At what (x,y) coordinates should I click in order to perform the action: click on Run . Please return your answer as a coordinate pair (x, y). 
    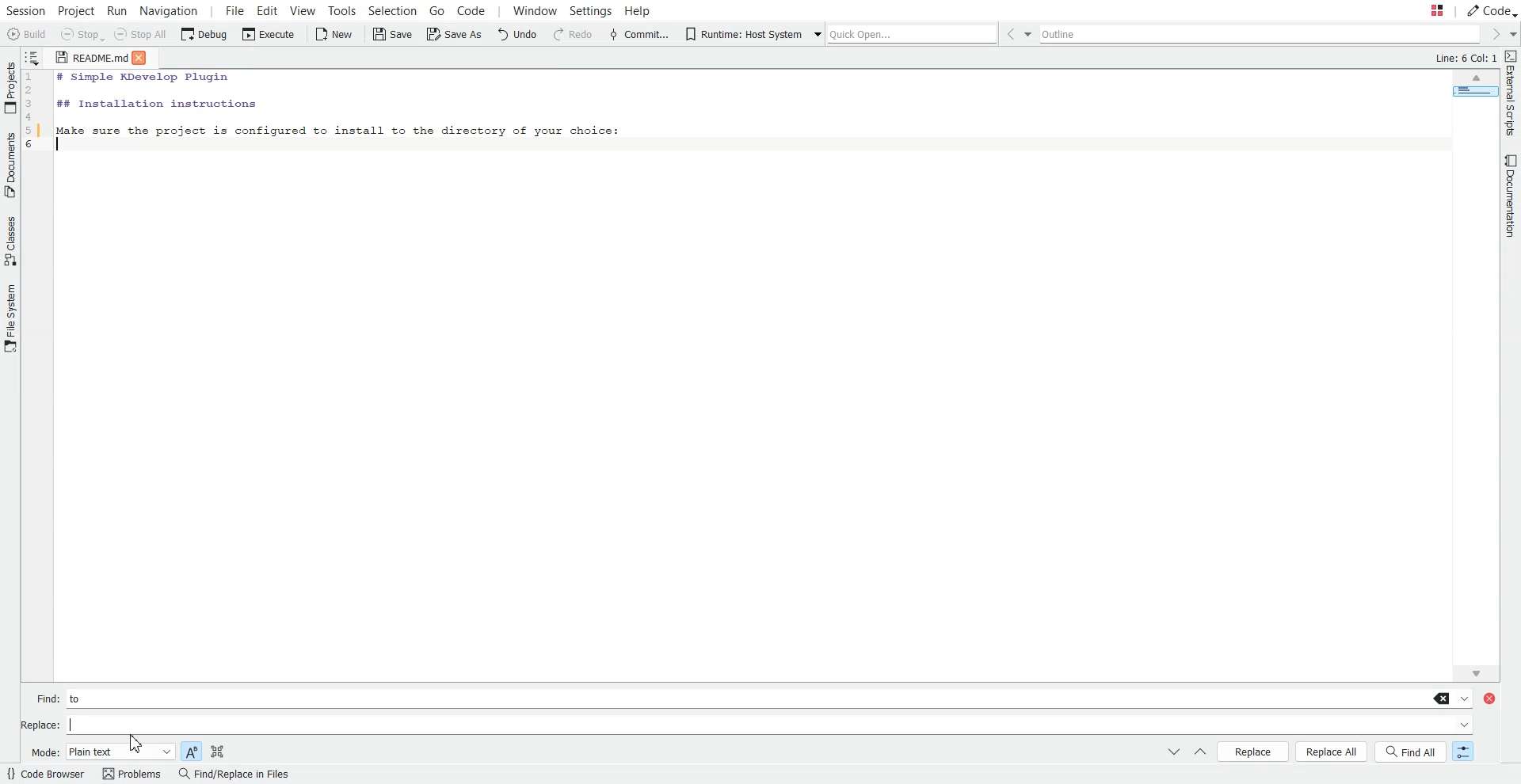
    Looking at the image, I should click on (120, 10).